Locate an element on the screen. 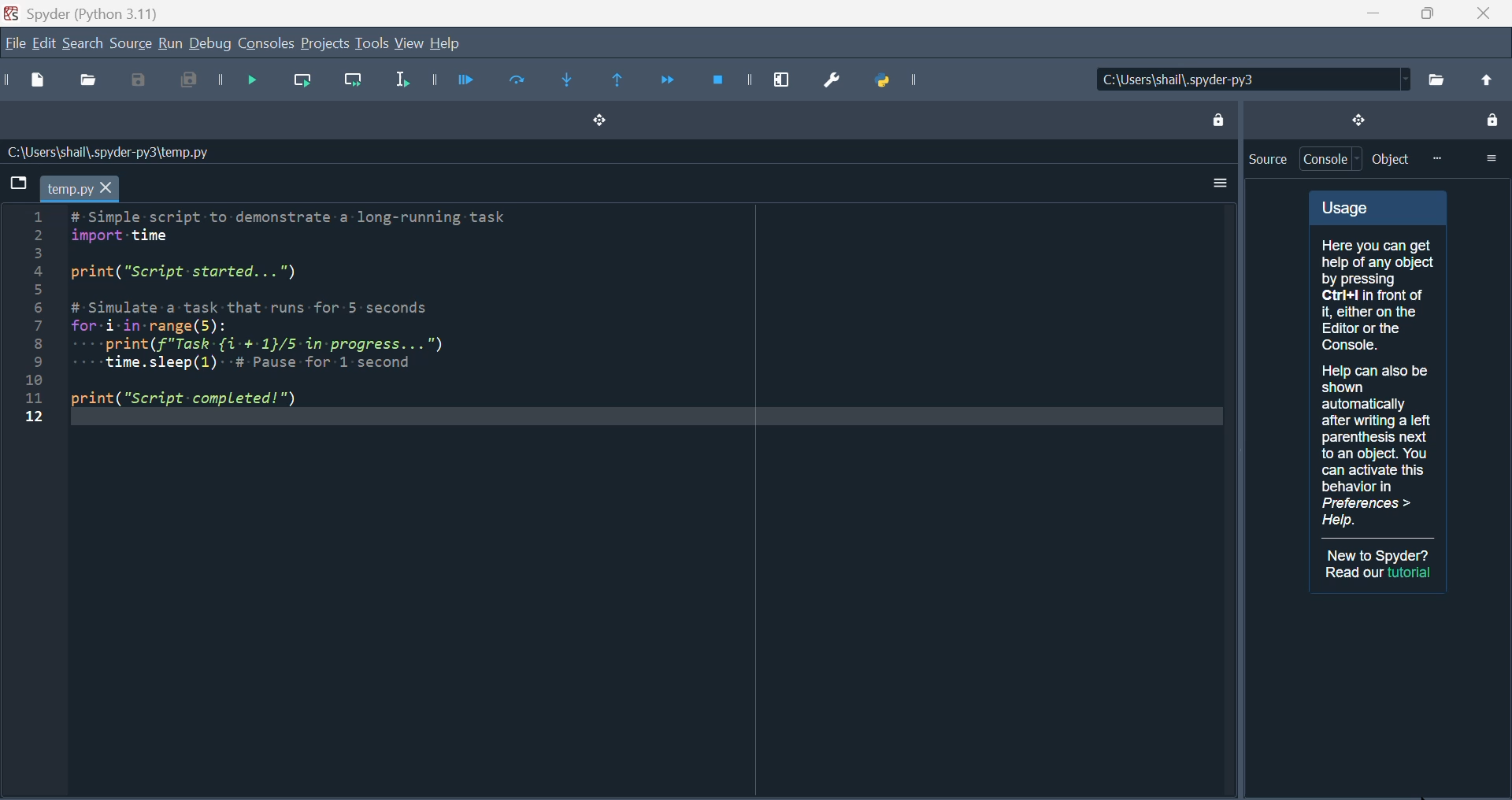  run current file is located at coordinates (518, 81).